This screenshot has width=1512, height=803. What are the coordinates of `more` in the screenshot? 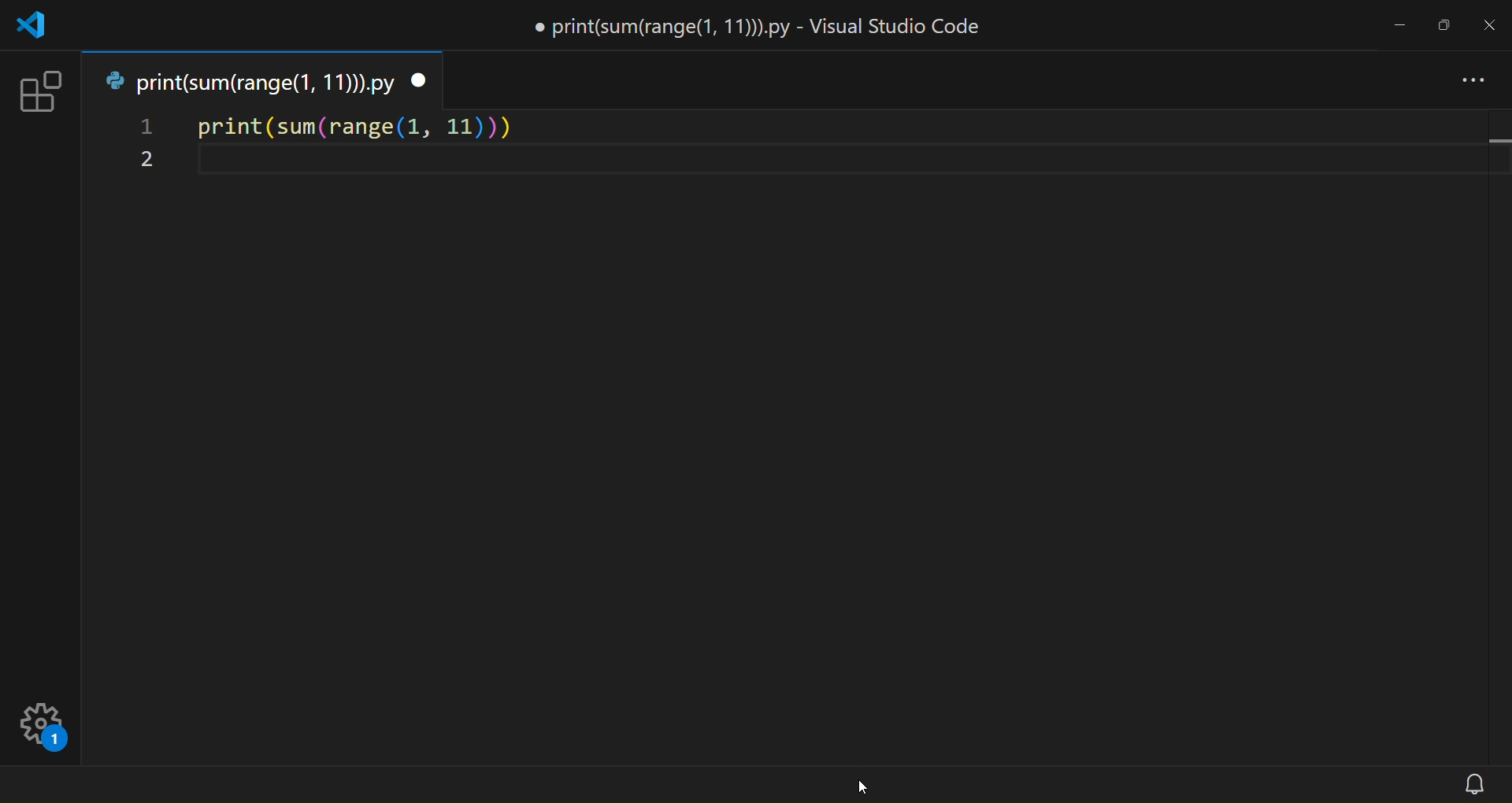 It's located at (1475, 82).